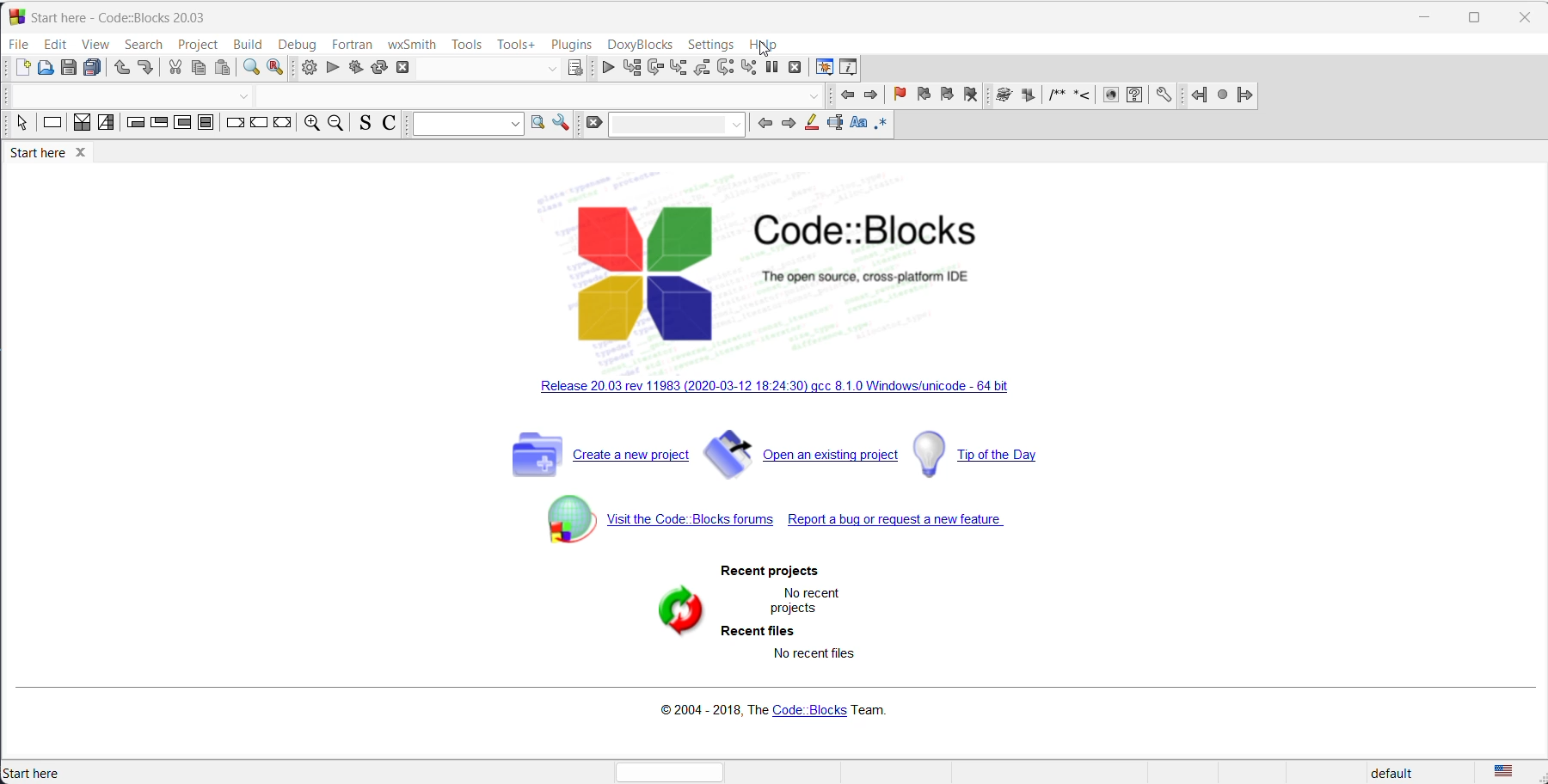  I want to click on tools +, so click(515, 44).